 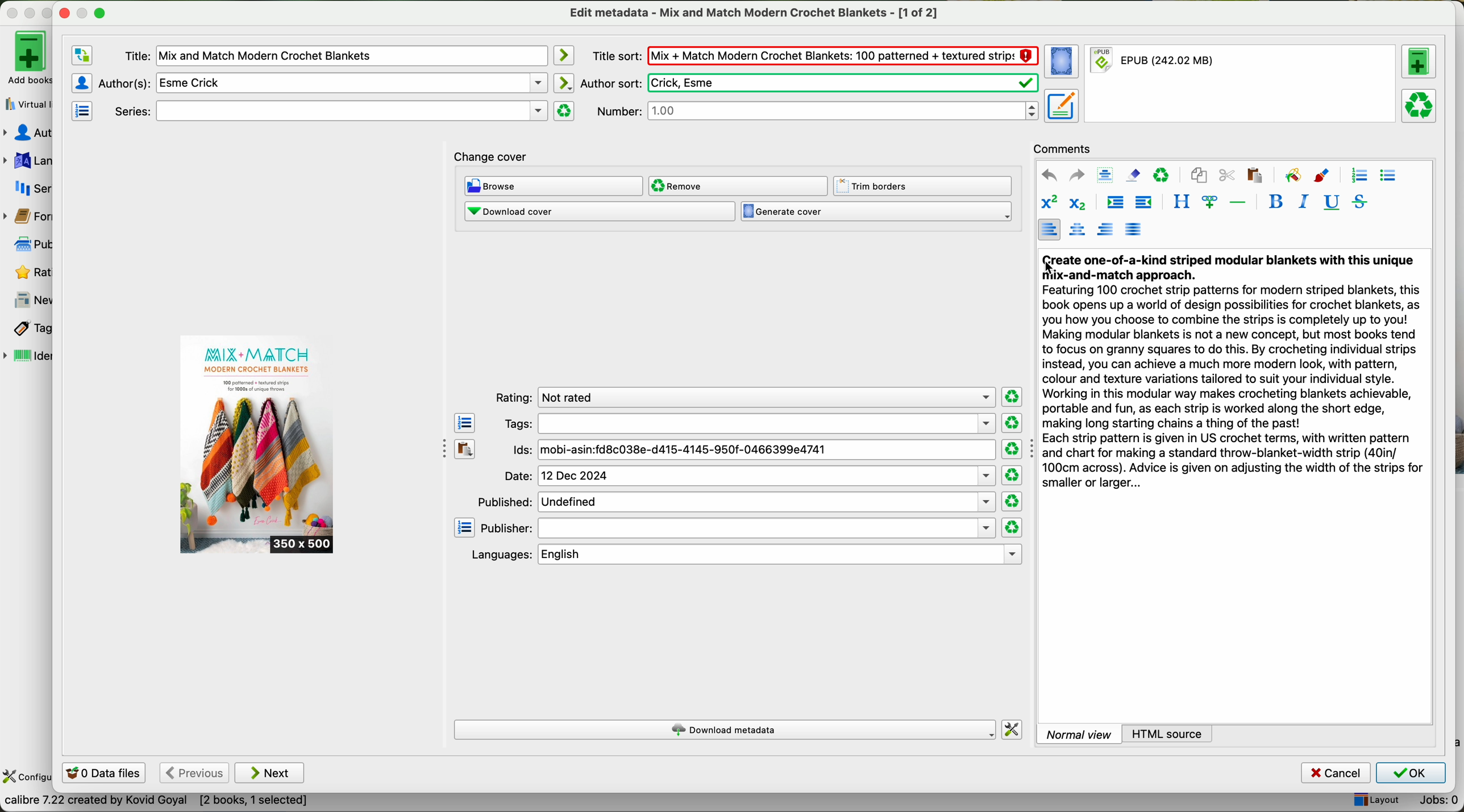 I want to click on formats, so click(x=26, y=216).